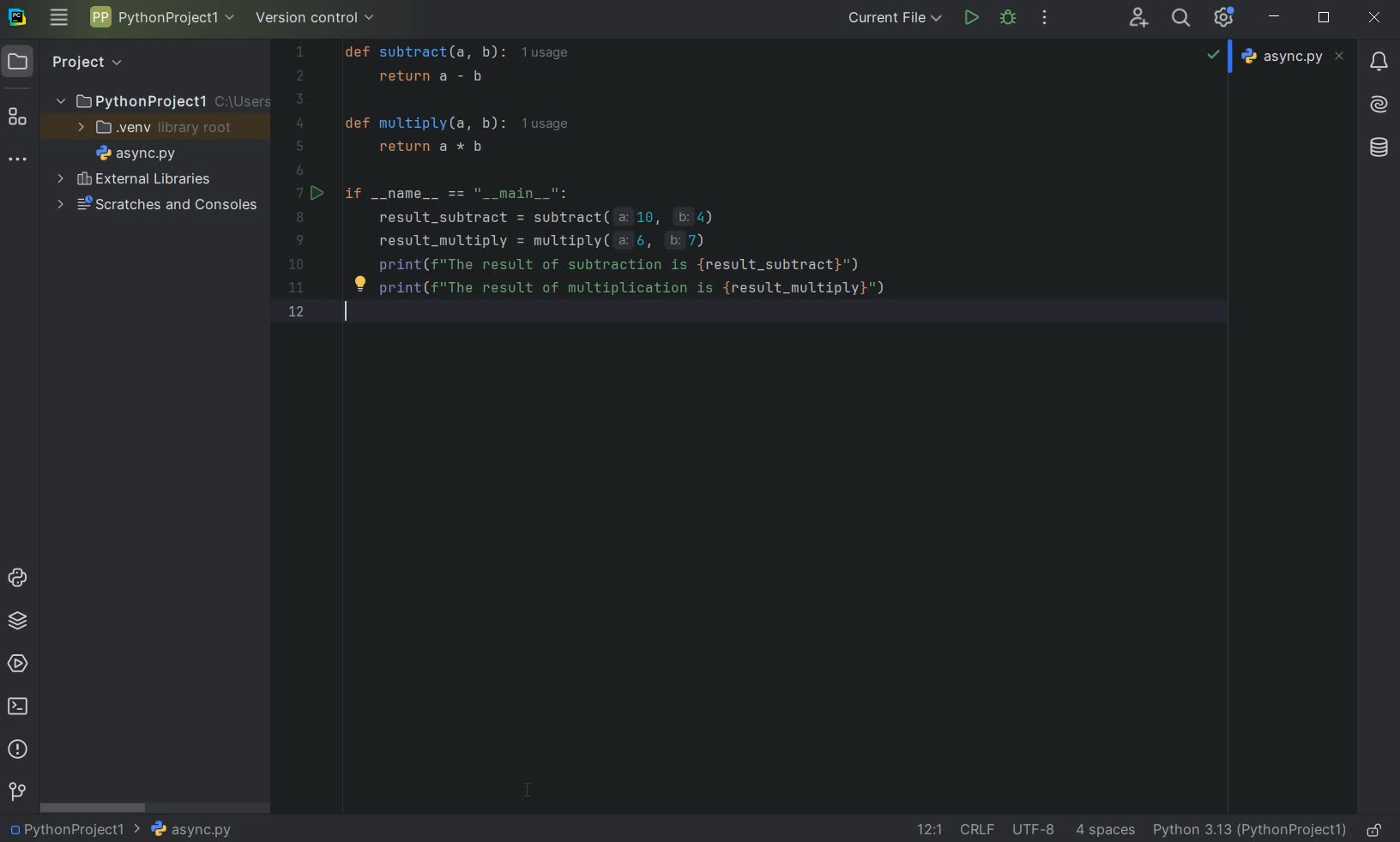 Image resolution: width=1400 pixels, height=842 pixels. What do you see at coordinates (1379, 104) in the screenshot?
I see `AI Assistant` at bounding box center [1379, 104].